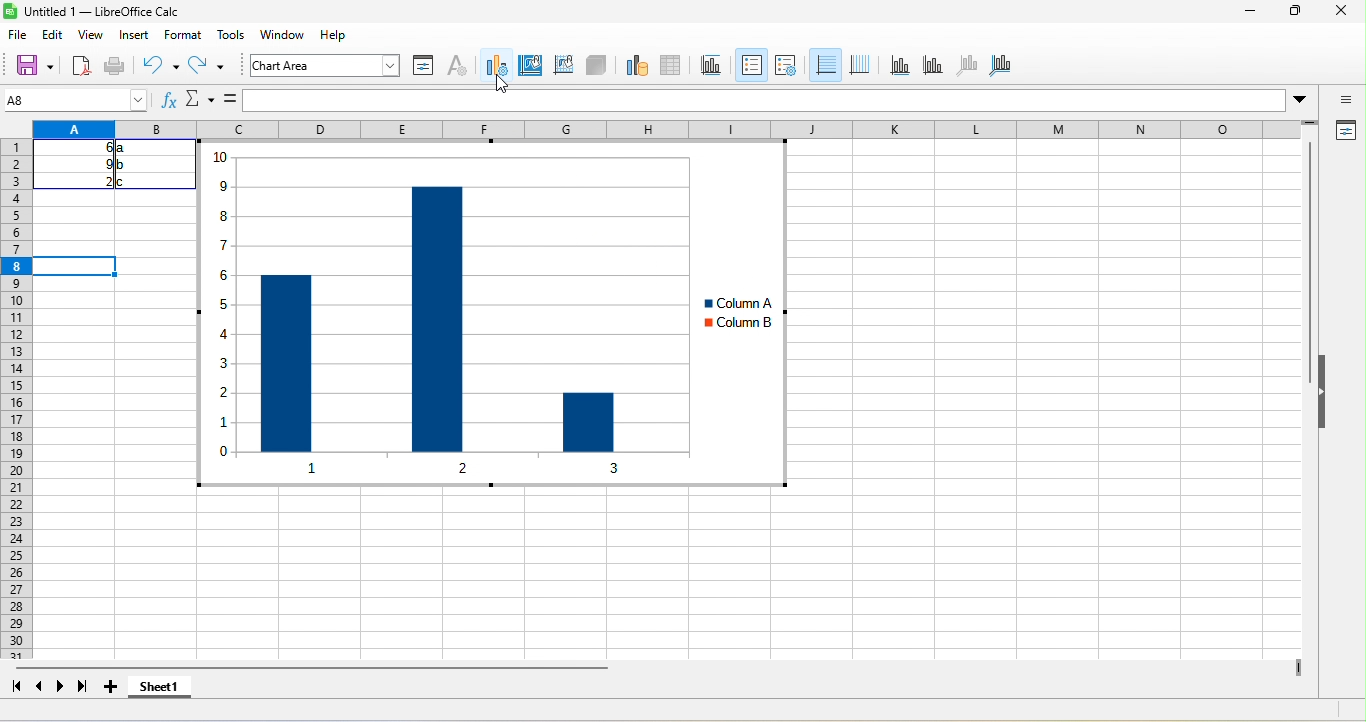 The width and height of the screenshot is (1366, 722). Describe the element at coordinates (1004, 66) in the screenshot. I see `All axes` at that location.